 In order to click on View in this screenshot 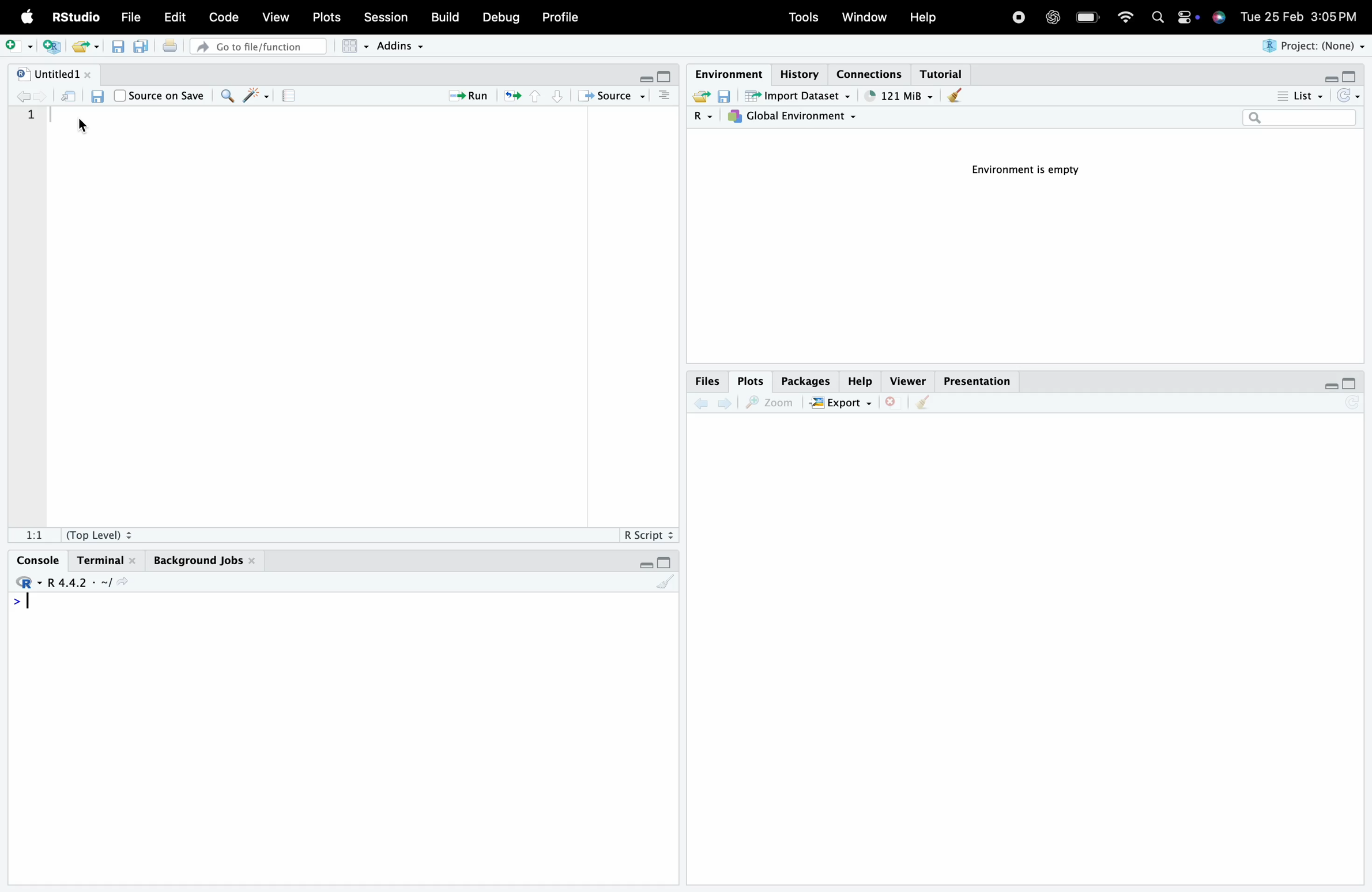, I will do `click(278, 16)`.